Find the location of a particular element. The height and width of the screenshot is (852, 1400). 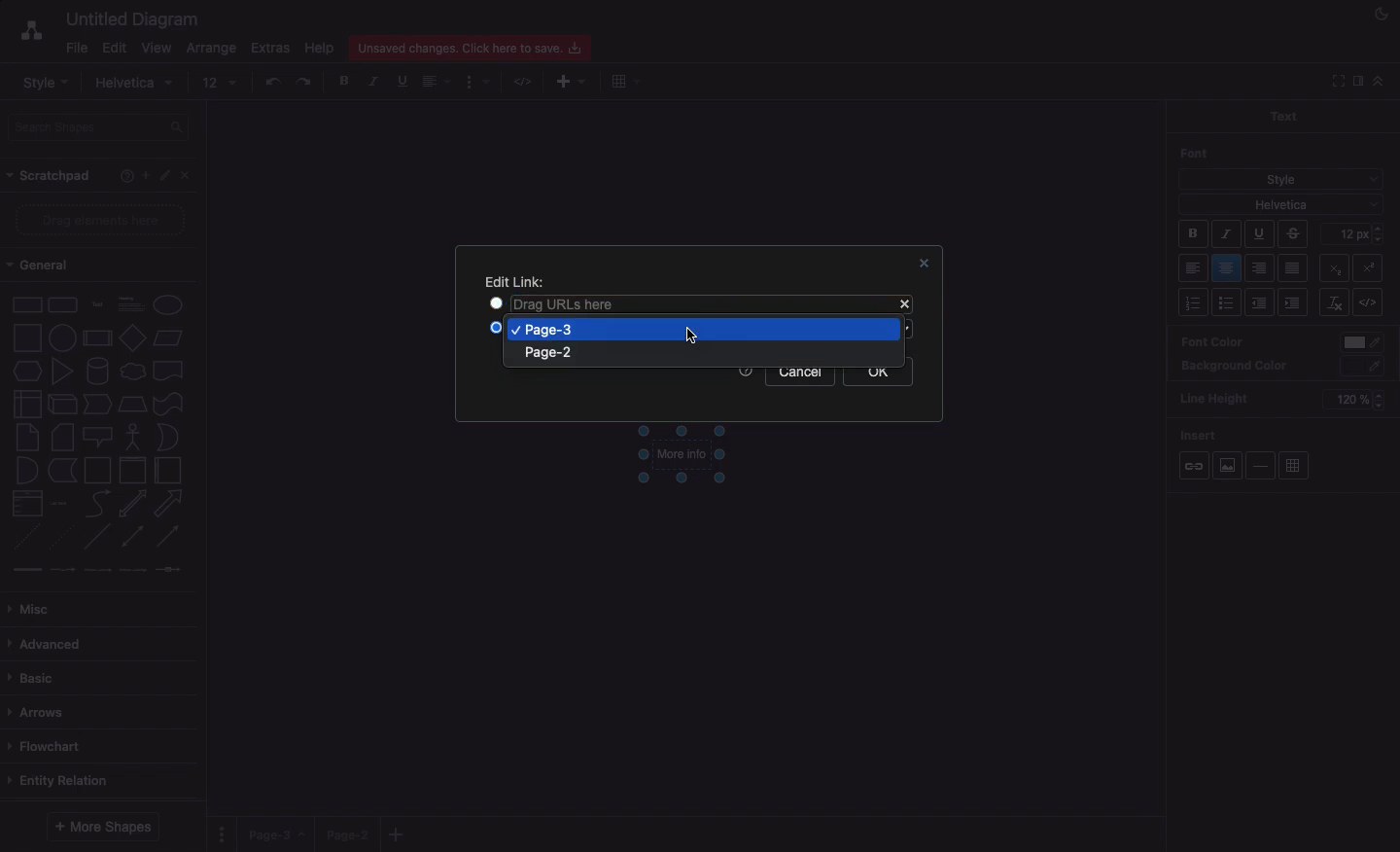

Underline is located at coordinates (1258, 235).